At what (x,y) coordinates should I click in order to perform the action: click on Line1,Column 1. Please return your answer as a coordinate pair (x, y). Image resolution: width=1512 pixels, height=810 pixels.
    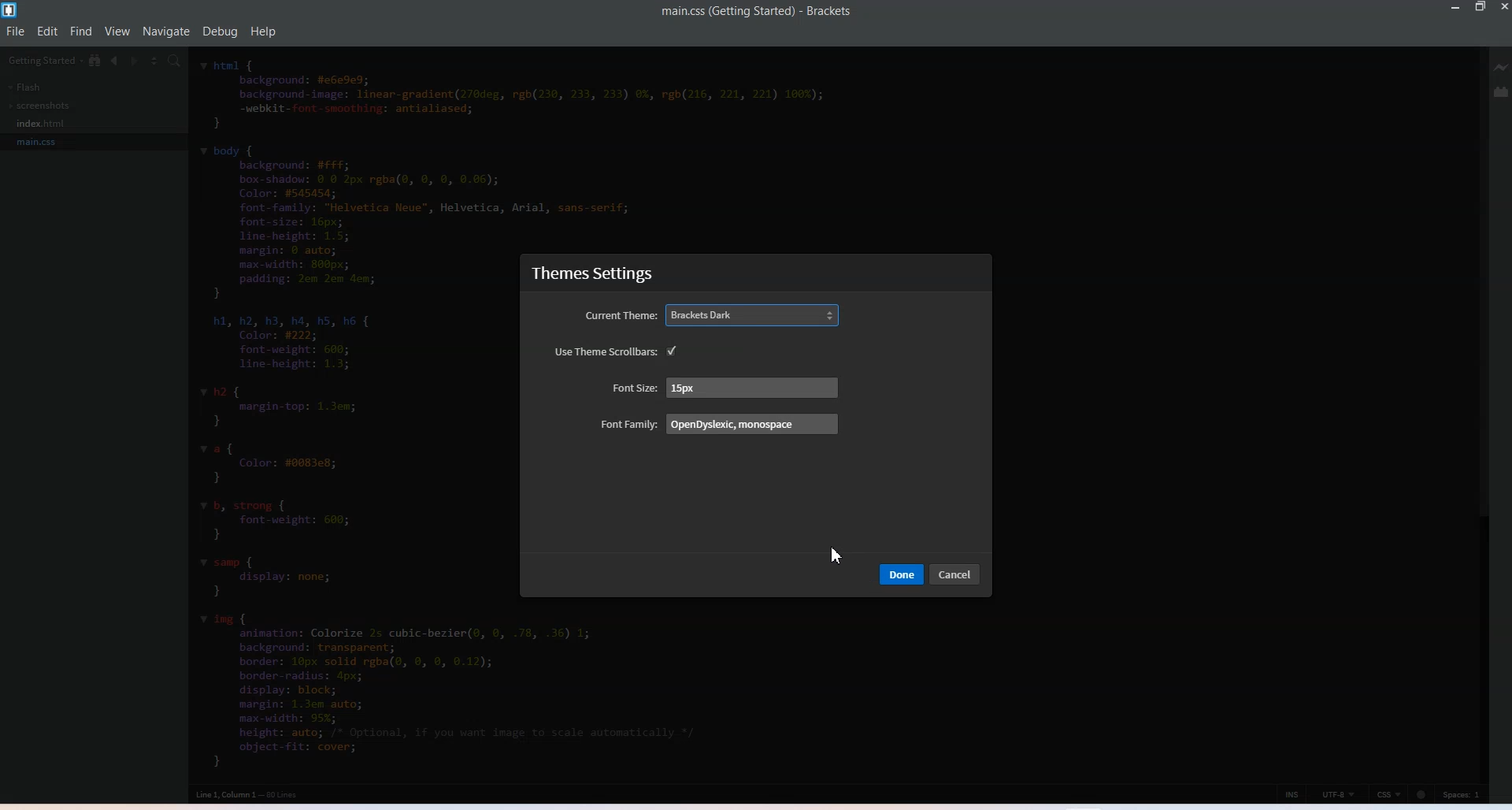
    Looking at the image, I should click on (246, 795).